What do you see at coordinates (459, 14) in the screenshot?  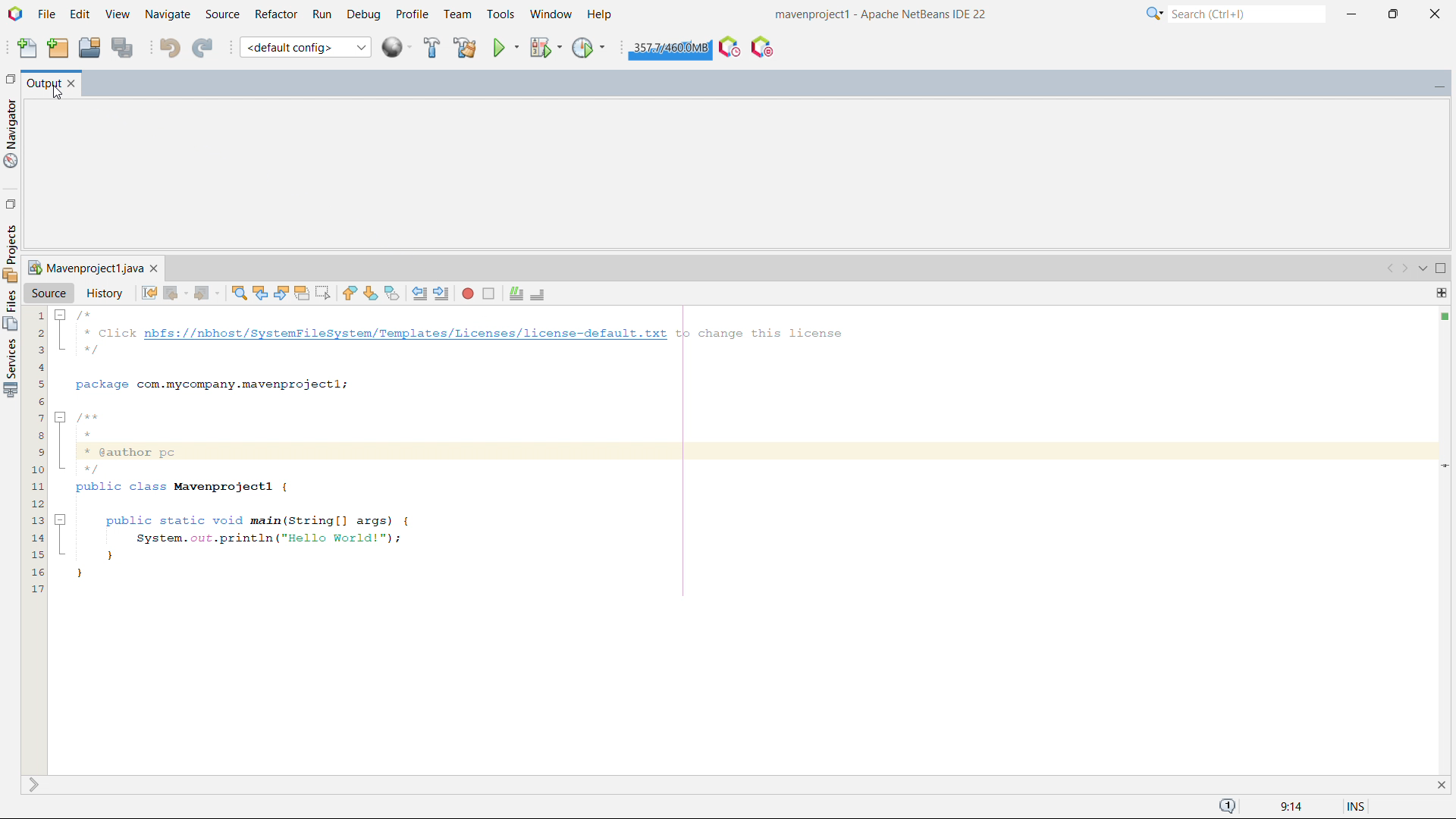 I see `team` at bounding box center [459, 14].